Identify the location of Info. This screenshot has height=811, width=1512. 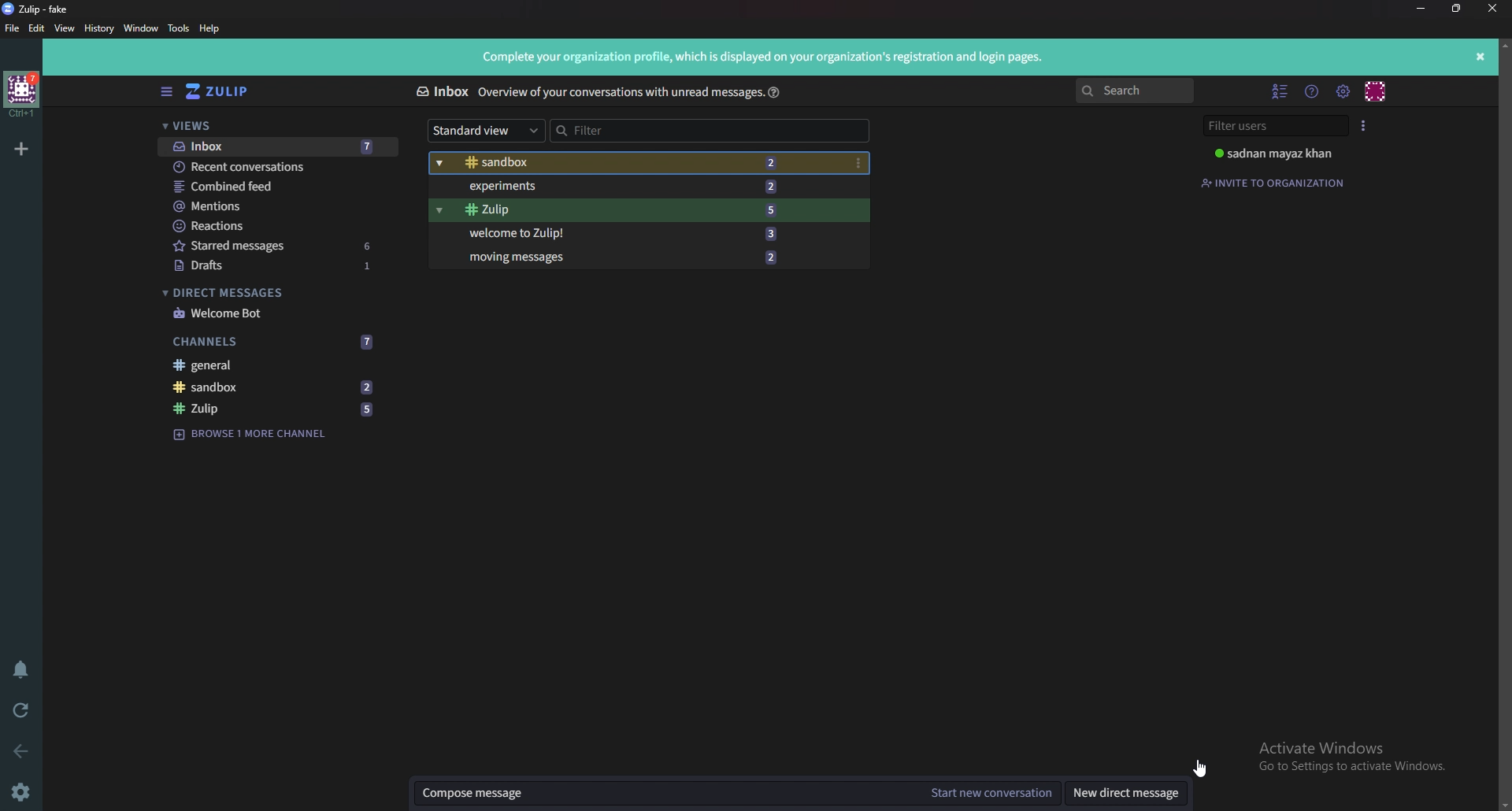
(621, 93).